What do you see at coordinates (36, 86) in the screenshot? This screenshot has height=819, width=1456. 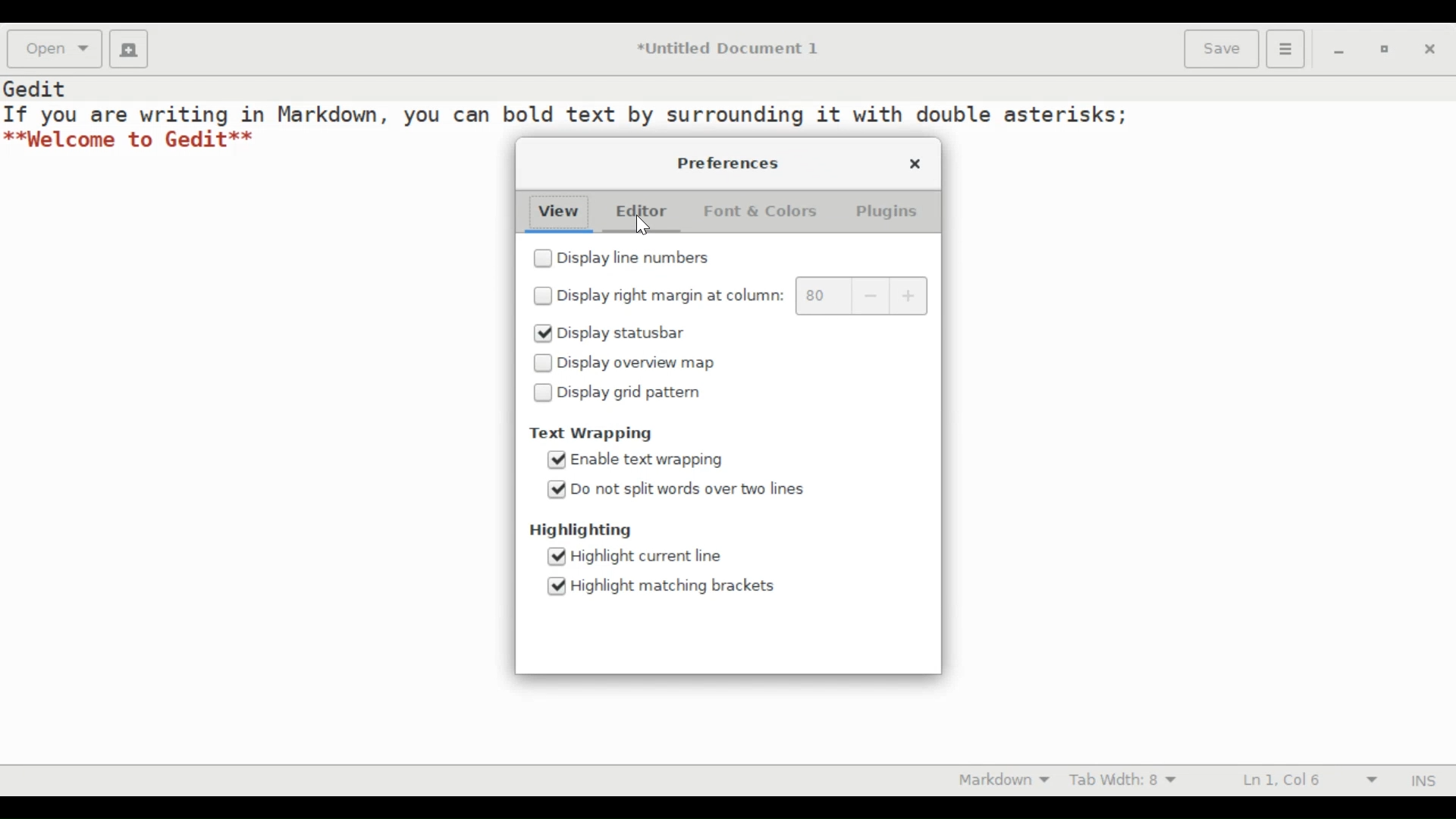 I see `Gedit` at bounding box center [36, 86].